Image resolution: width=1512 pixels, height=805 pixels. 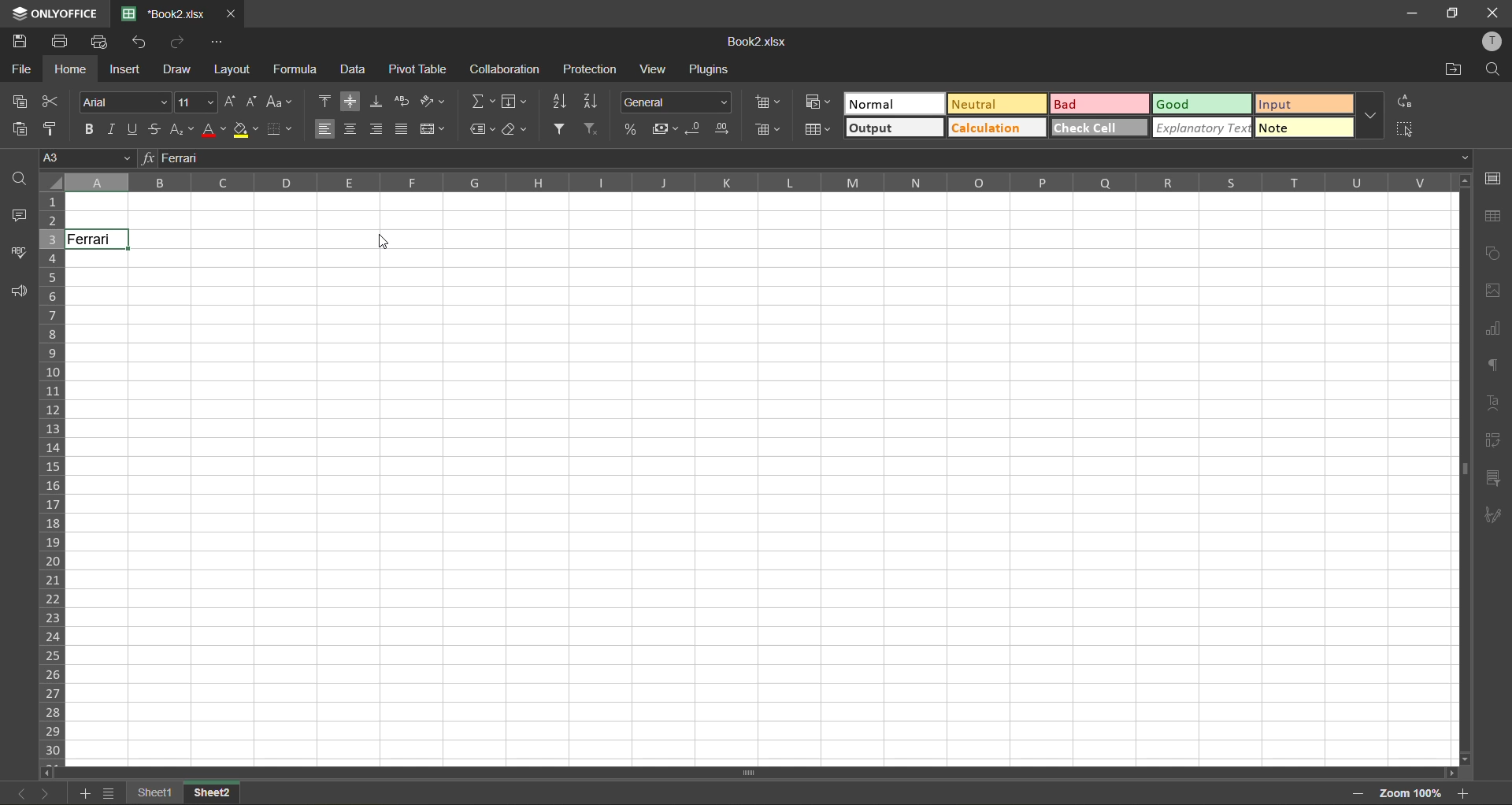 I want to click on cell settings, so click(x=1492, y=178).